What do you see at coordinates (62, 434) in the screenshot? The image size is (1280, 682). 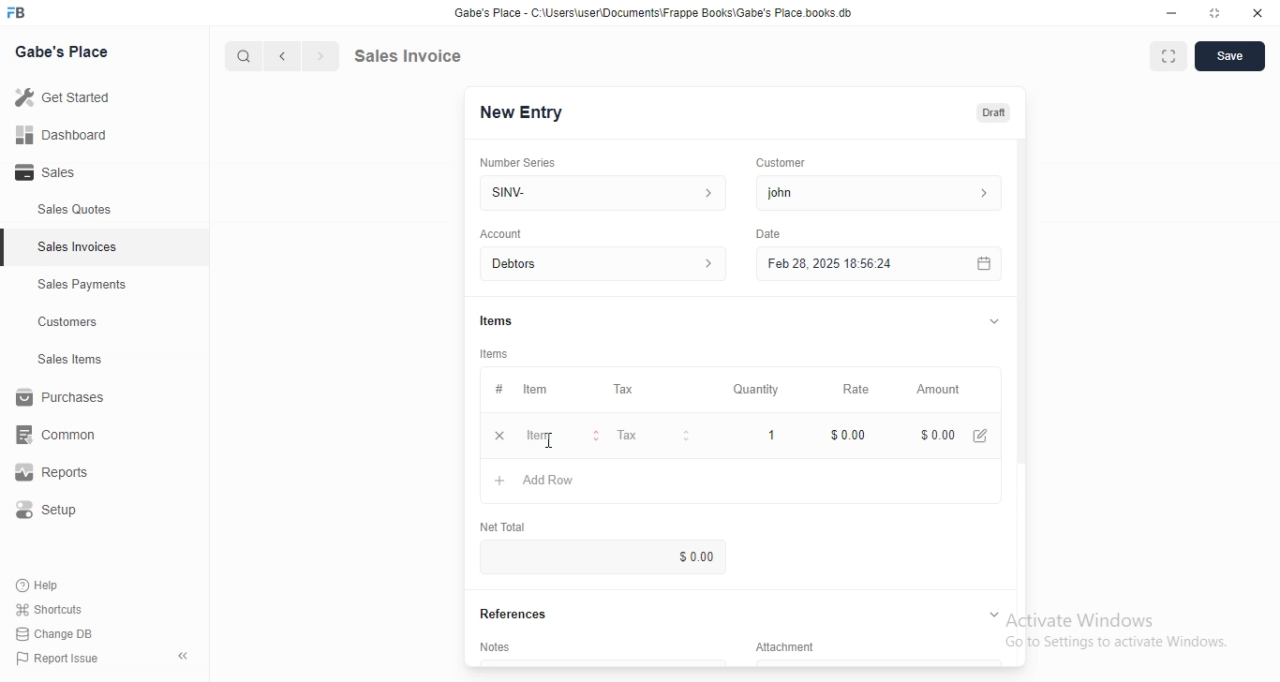 I see `common` at bounding box center [62, 434].